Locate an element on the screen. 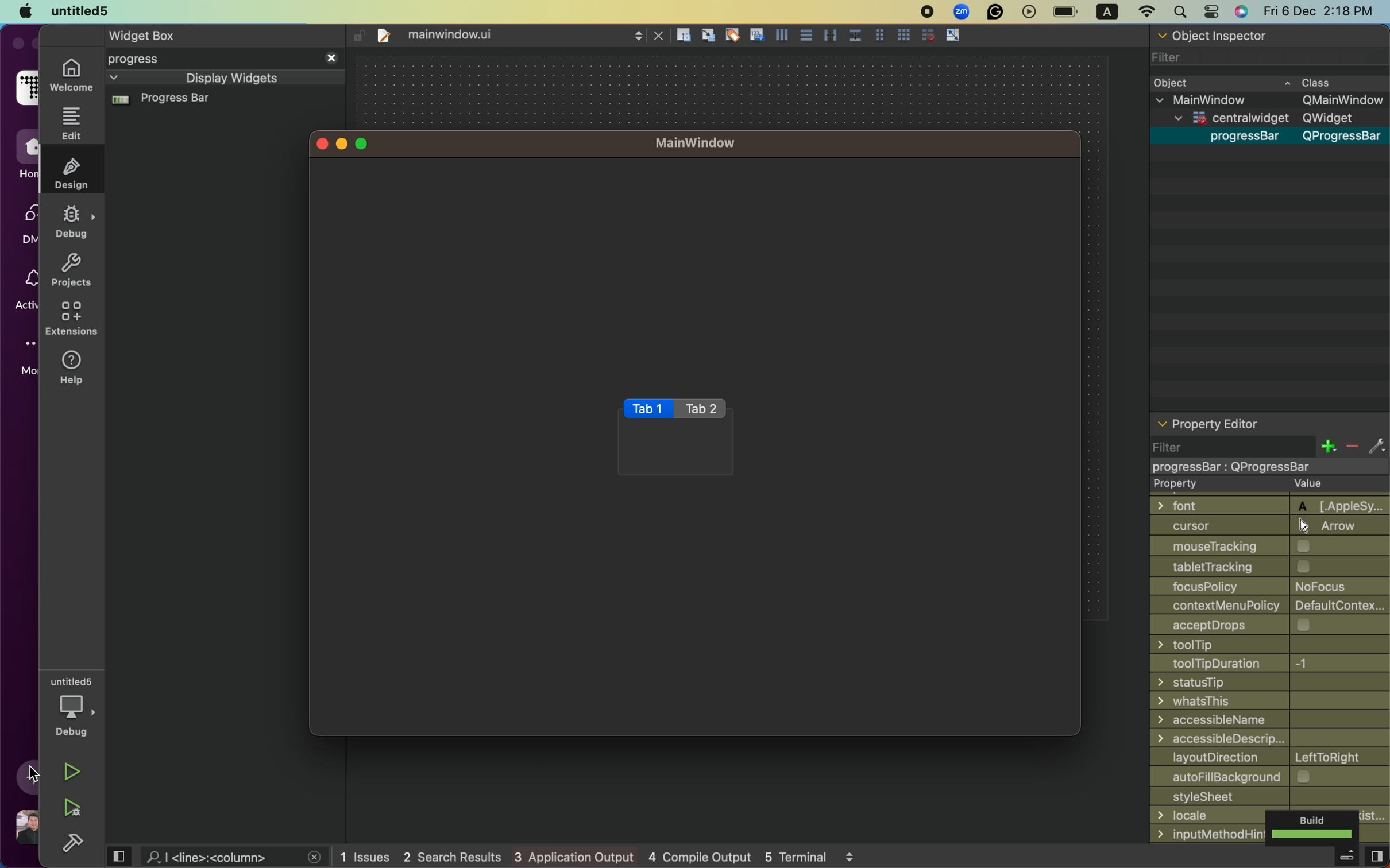 This screenshot has width=1390, height=868. view is located at coordinates (120, 857).